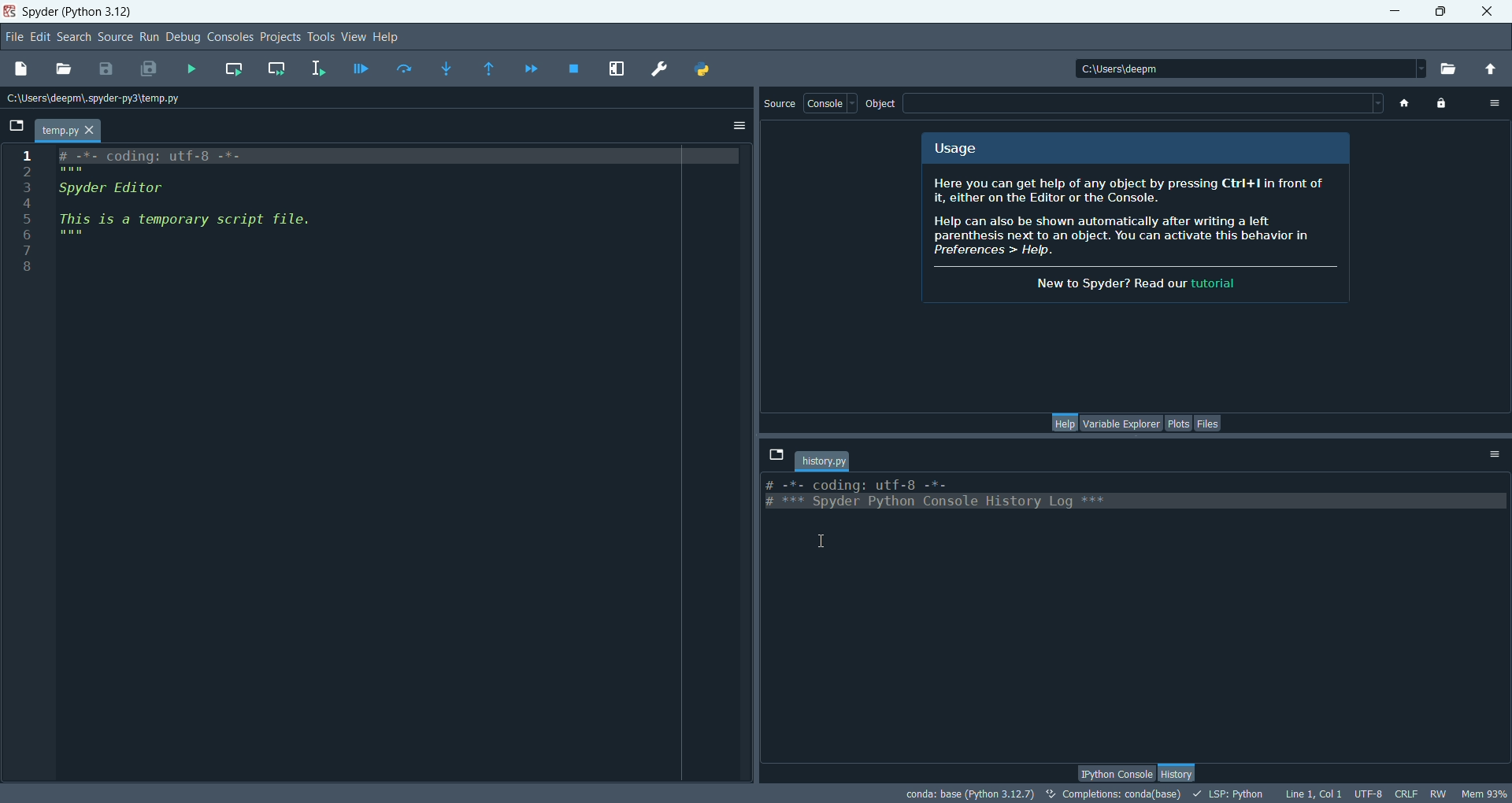 Image resolution: width=1512 pixels, height=803 pixels. Describe the element at coordinates (1503, 611) in the screenshot. I see `vertical scroll bar` at that location.